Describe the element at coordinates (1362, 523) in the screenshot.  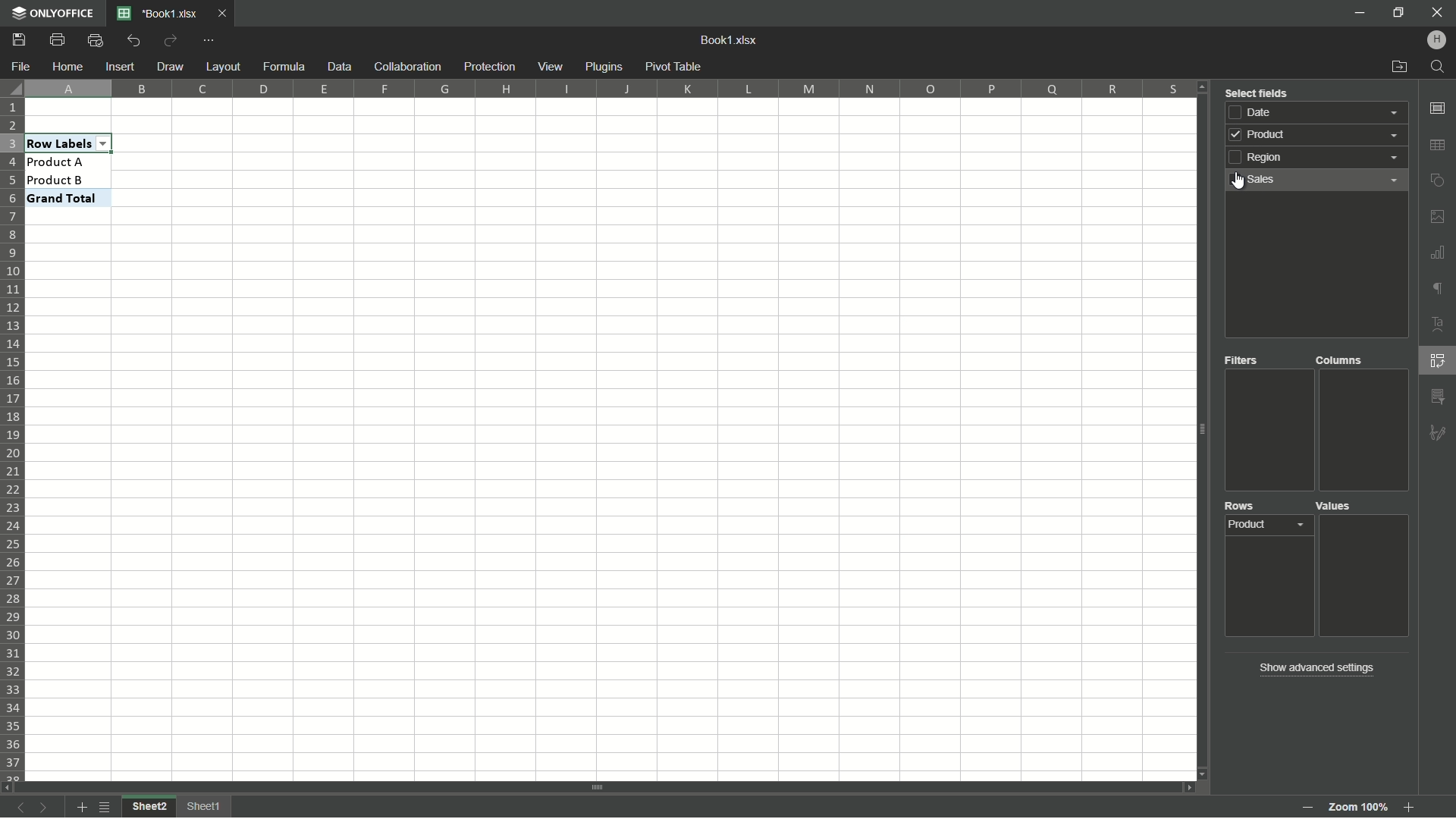
I see `Sum of sales` at that location.